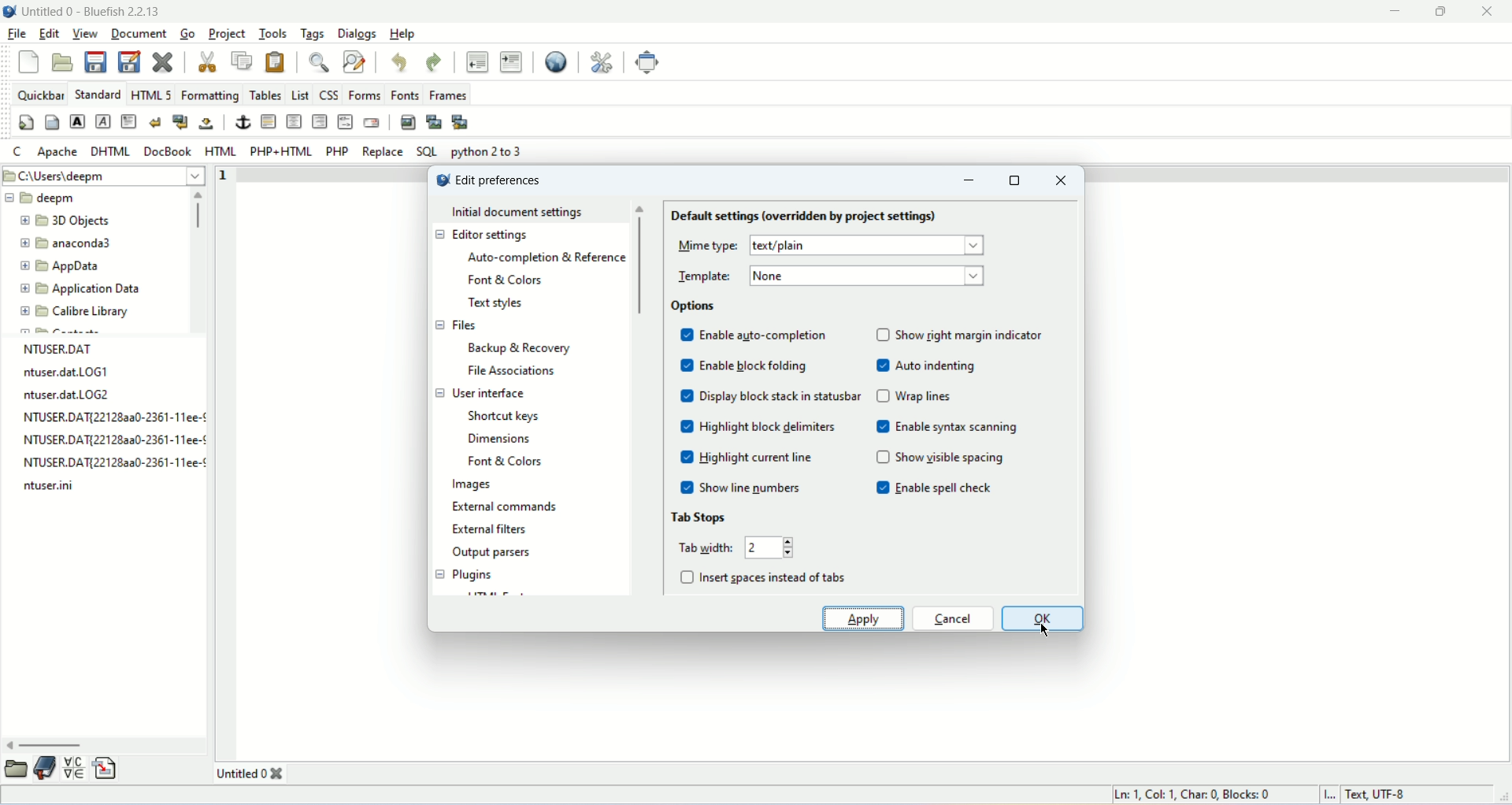  I want to click on email, so click(372, 123).